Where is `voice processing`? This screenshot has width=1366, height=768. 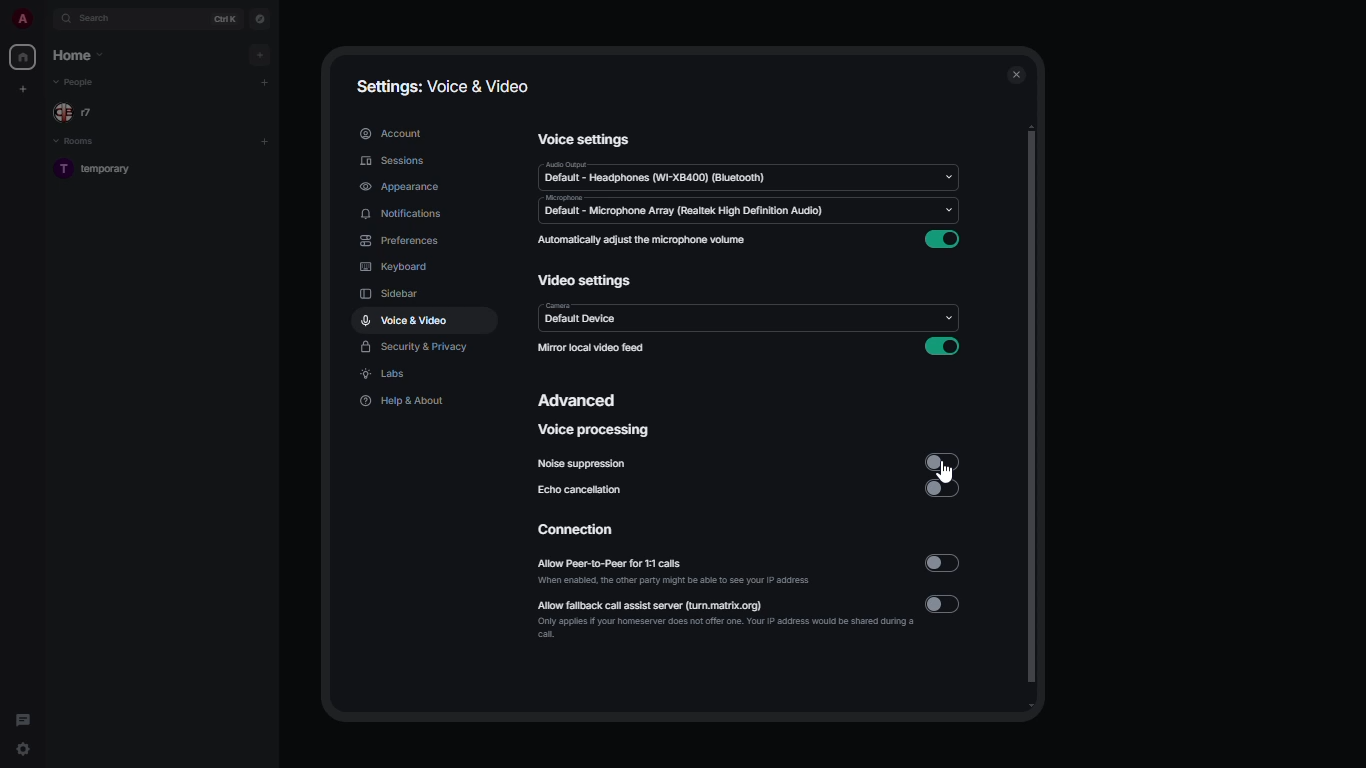 voice processing is located at coordinates (591, 431).